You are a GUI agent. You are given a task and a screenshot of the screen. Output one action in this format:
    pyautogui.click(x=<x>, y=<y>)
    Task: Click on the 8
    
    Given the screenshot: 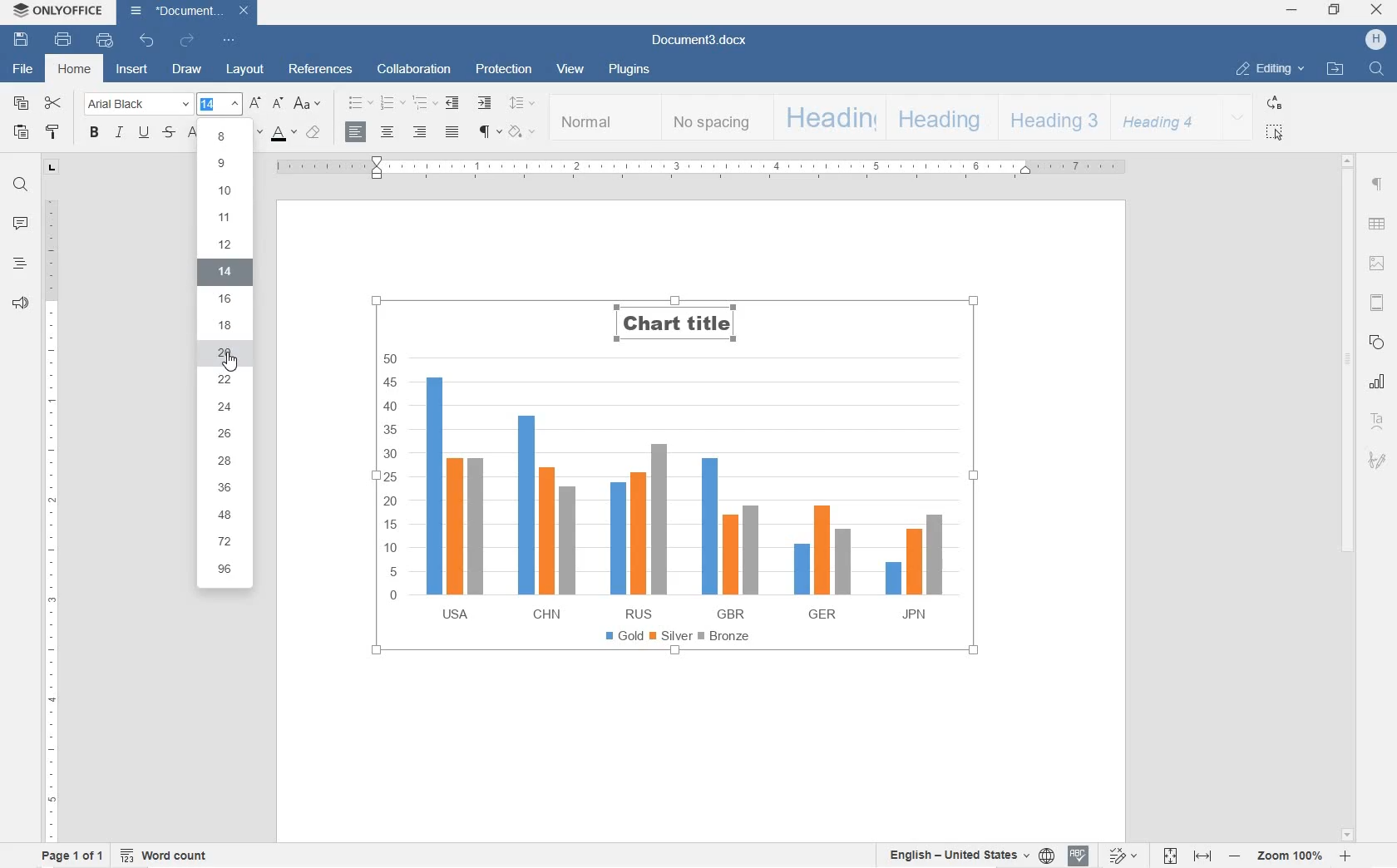 What is the action you would take?
    pyautogui.click(x=222, y=138)
    